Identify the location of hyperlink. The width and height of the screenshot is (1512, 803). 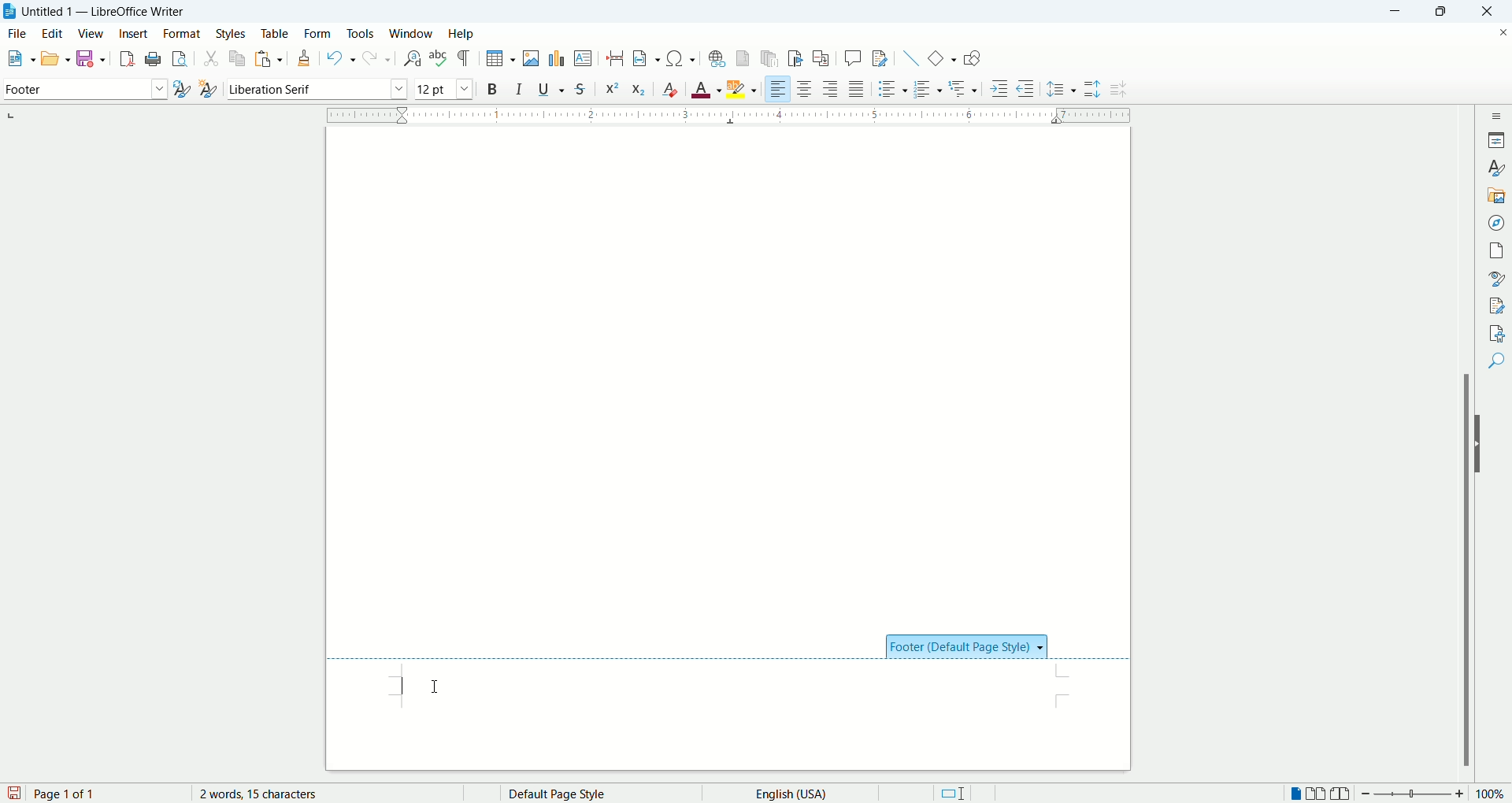
(717, 58).